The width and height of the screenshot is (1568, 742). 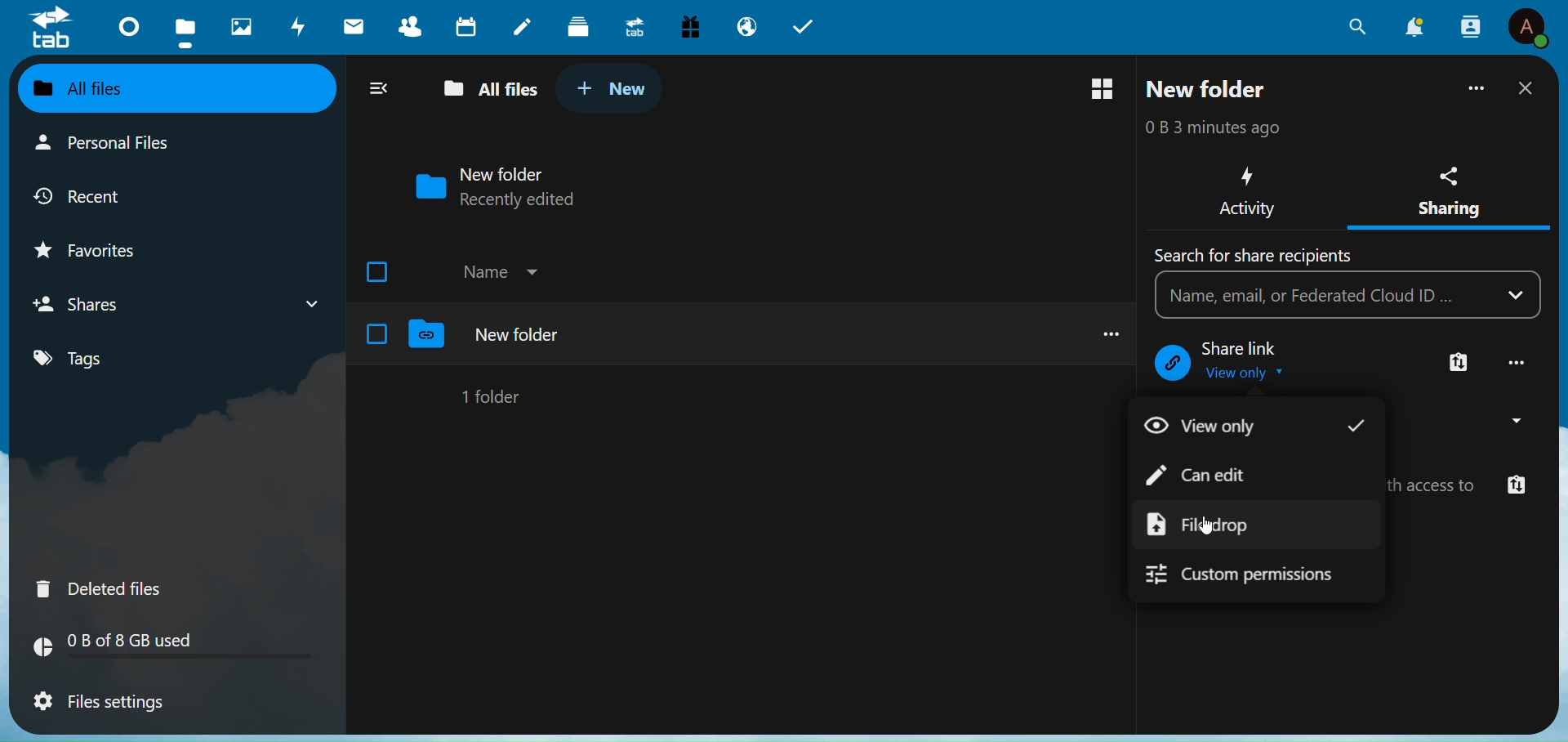 What do you see at coordinates (97, 194) in the screenshot?
I see `Recent` at bounding box center [97, 194].